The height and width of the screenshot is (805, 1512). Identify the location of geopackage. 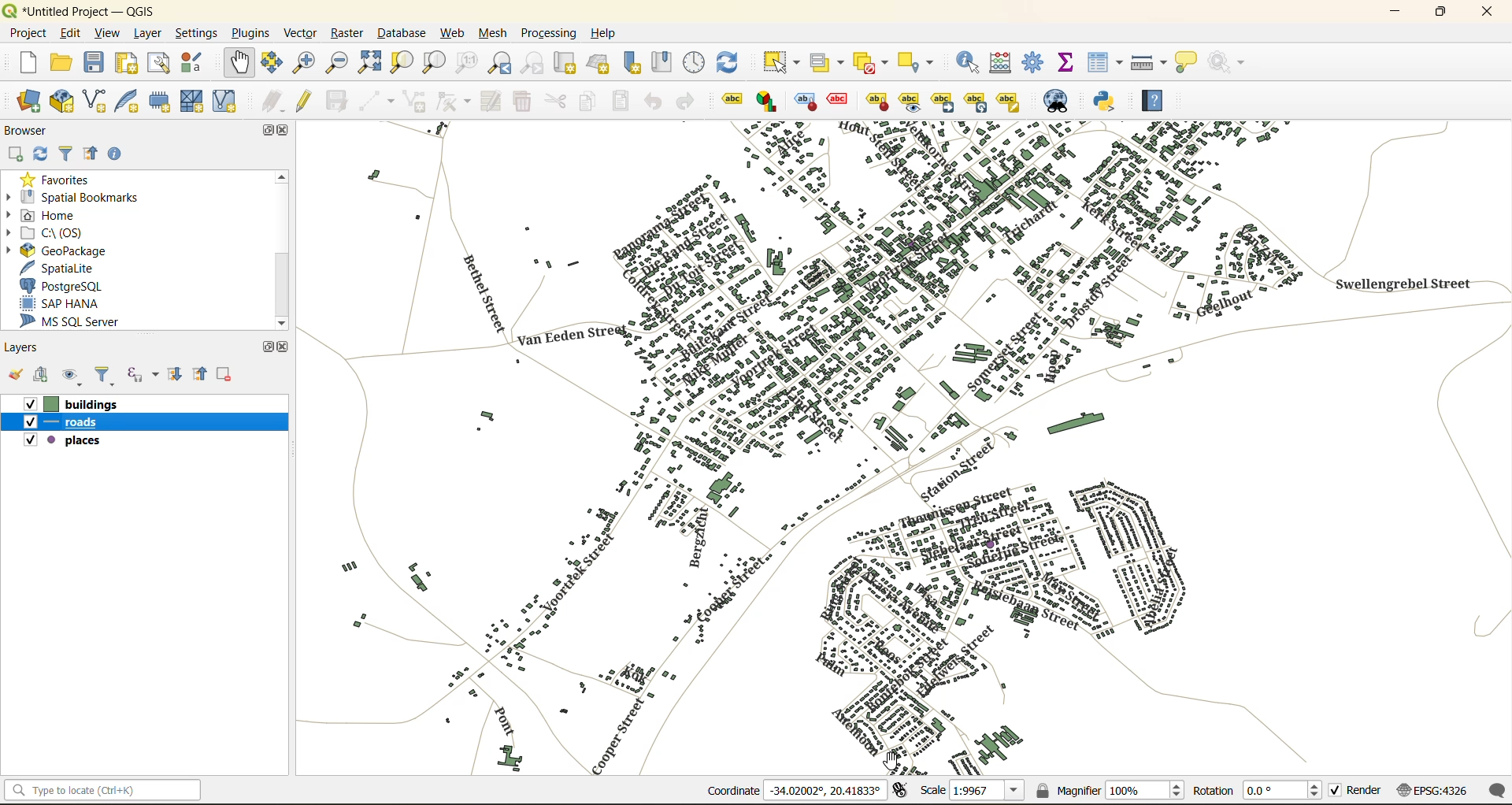
(65, 253).